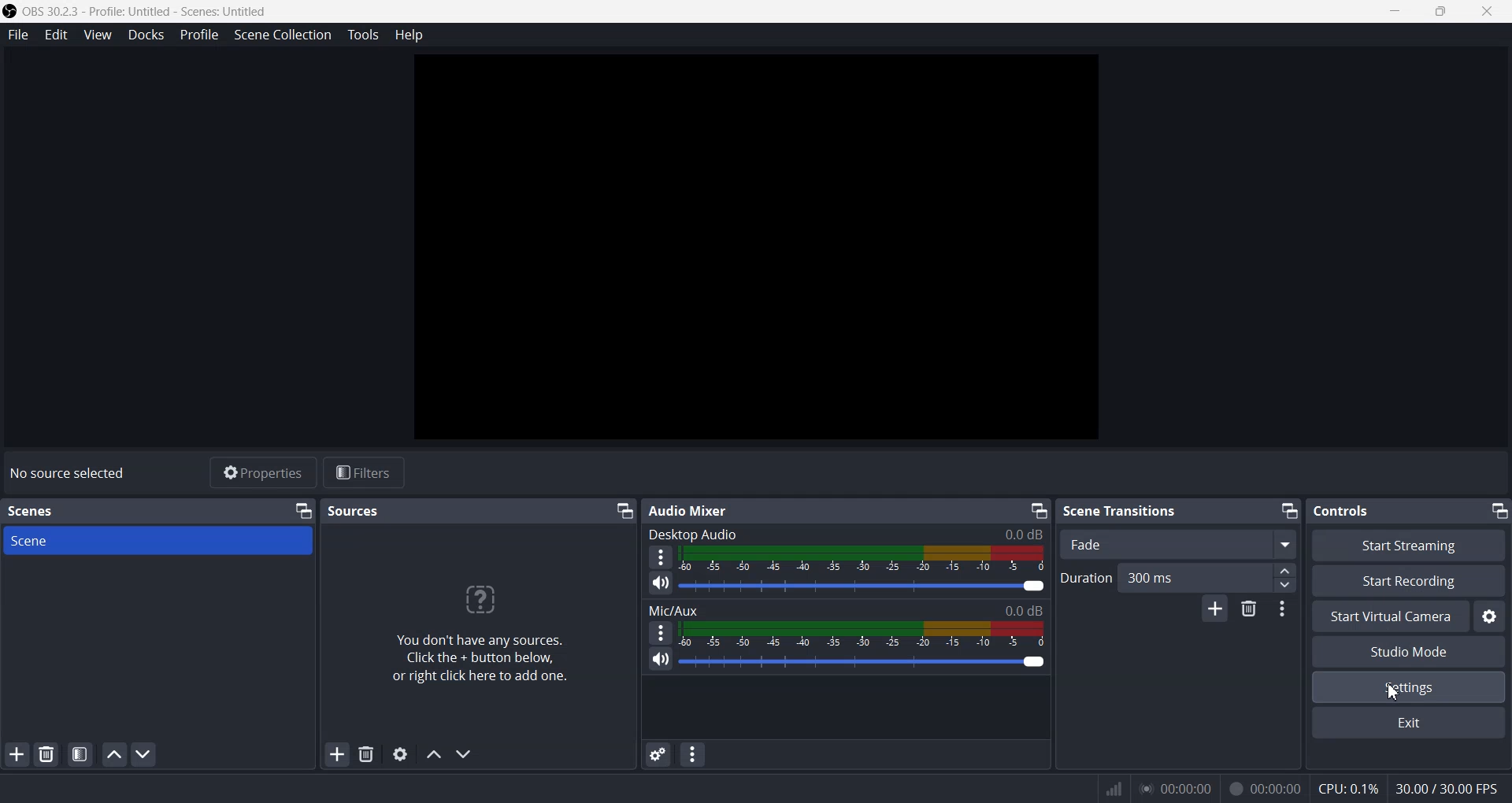 The width and height of the screenshot is (1512, 803). Describe the element at coordinates (432, 756) in the screenshot. I see `Move Source Up` at that location.